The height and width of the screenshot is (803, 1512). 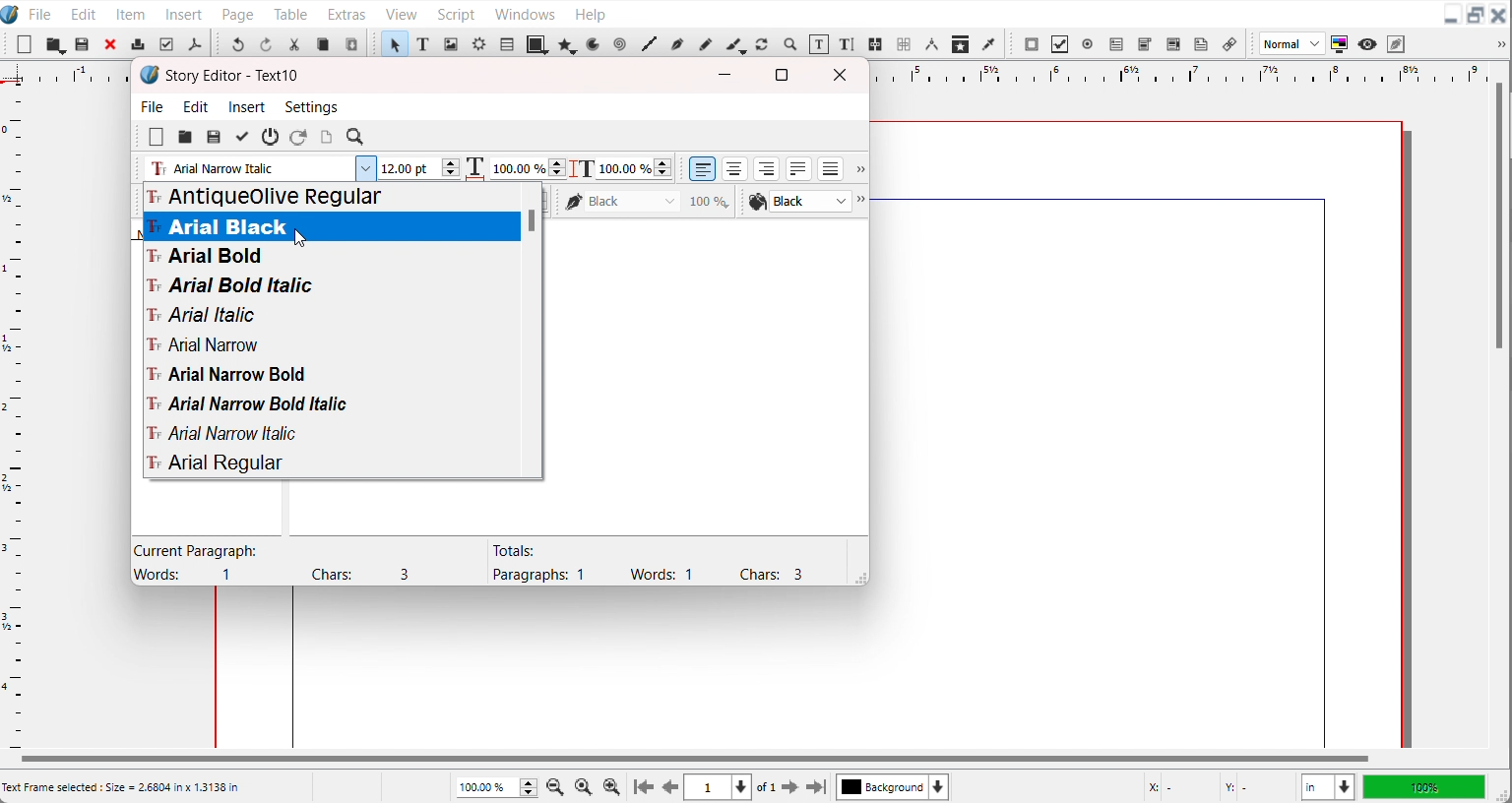 I want to click on Close, so click(x=111, y=43).